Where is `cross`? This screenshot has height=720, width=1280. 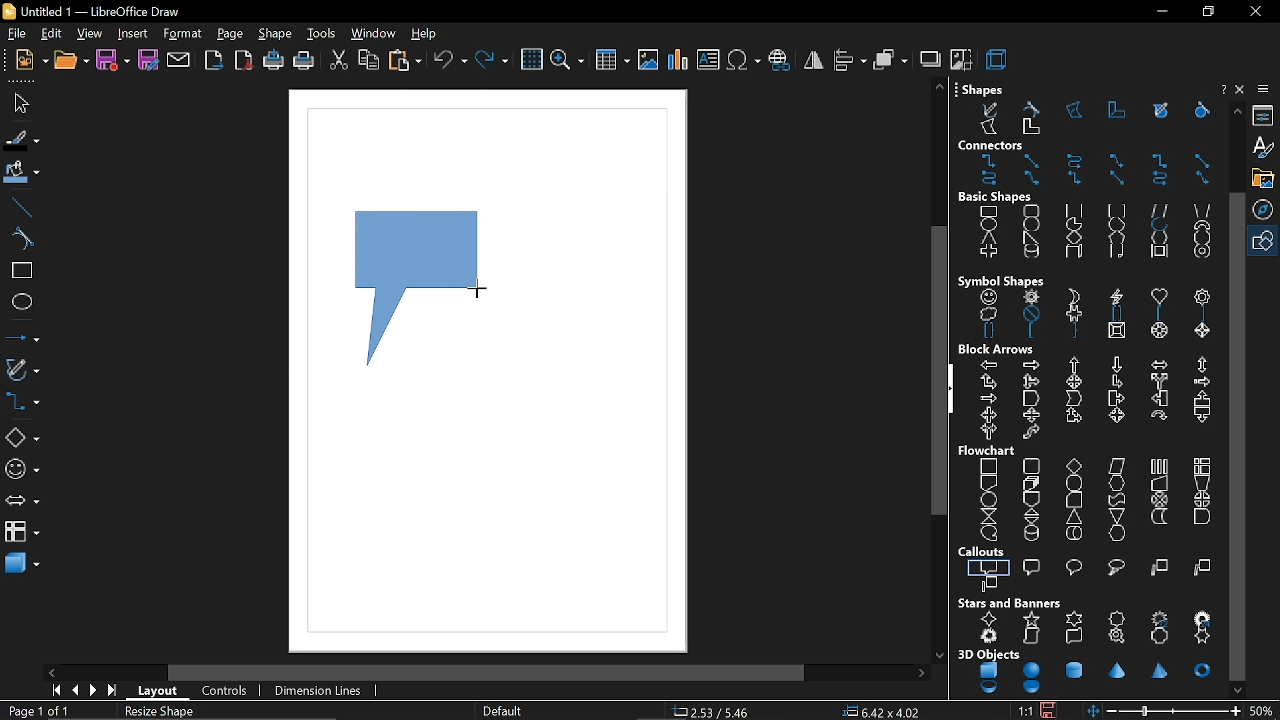 cross is located at coordinates (986, 253).